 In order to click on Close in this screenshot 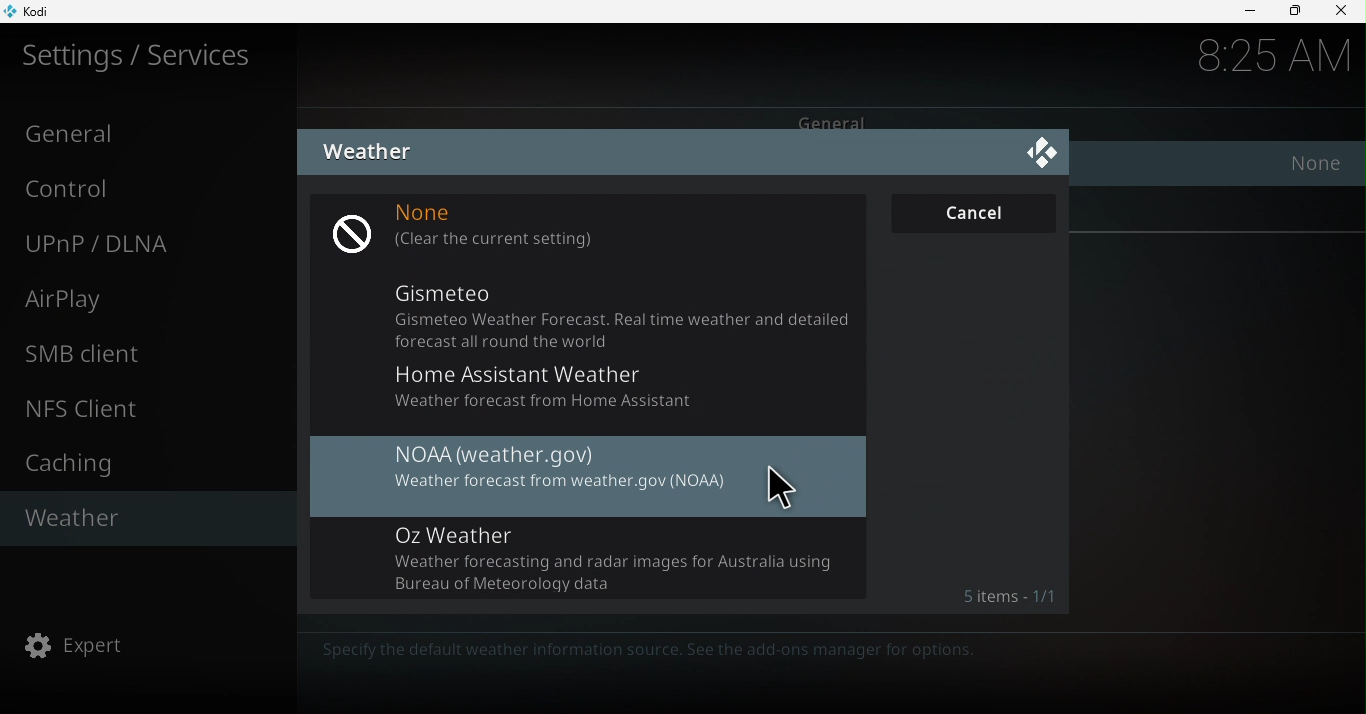, I will do `click(1345, 10)`.